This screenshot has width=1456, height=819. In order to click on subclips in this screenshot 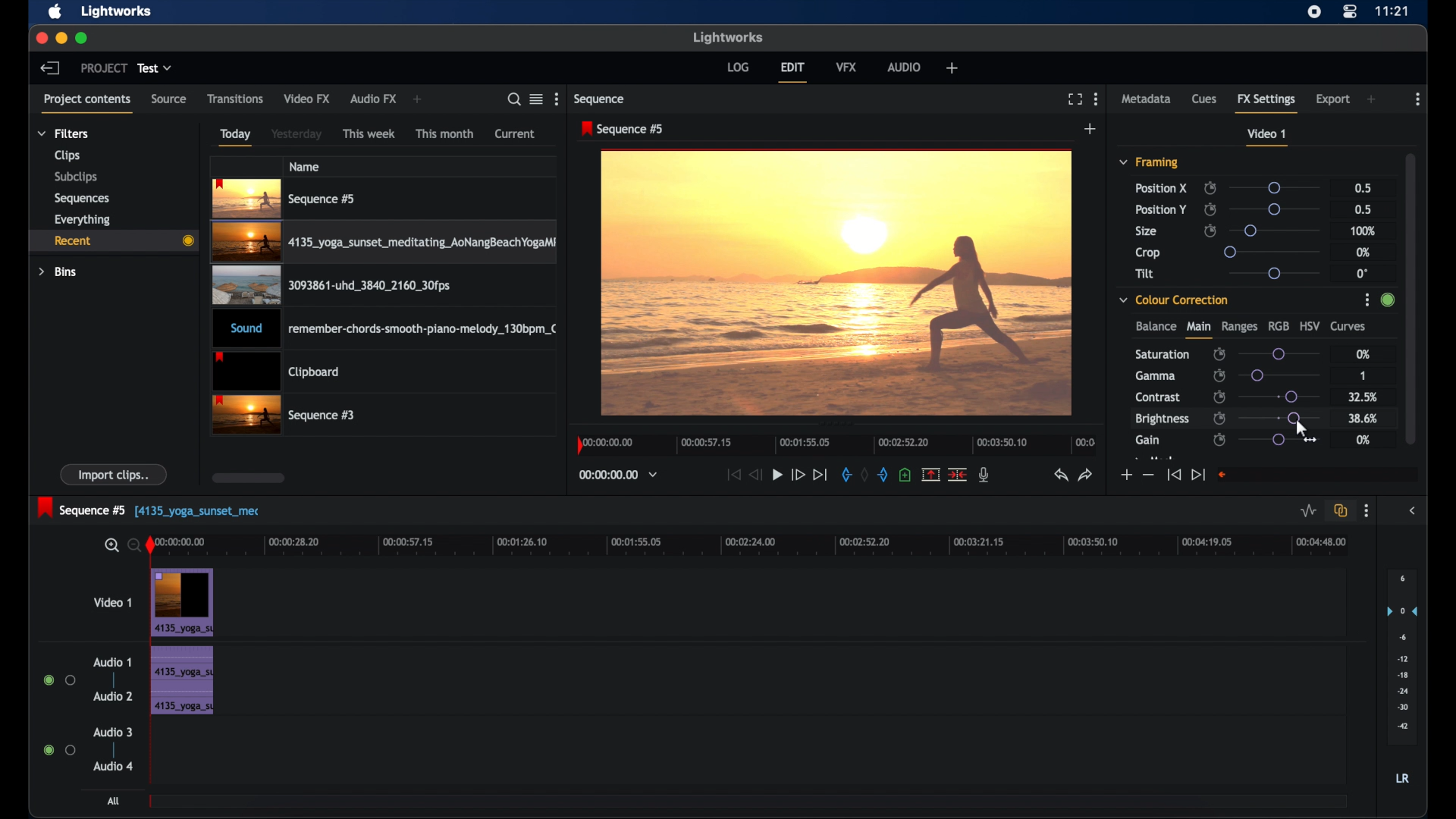, I will do `click(77, 177)`.